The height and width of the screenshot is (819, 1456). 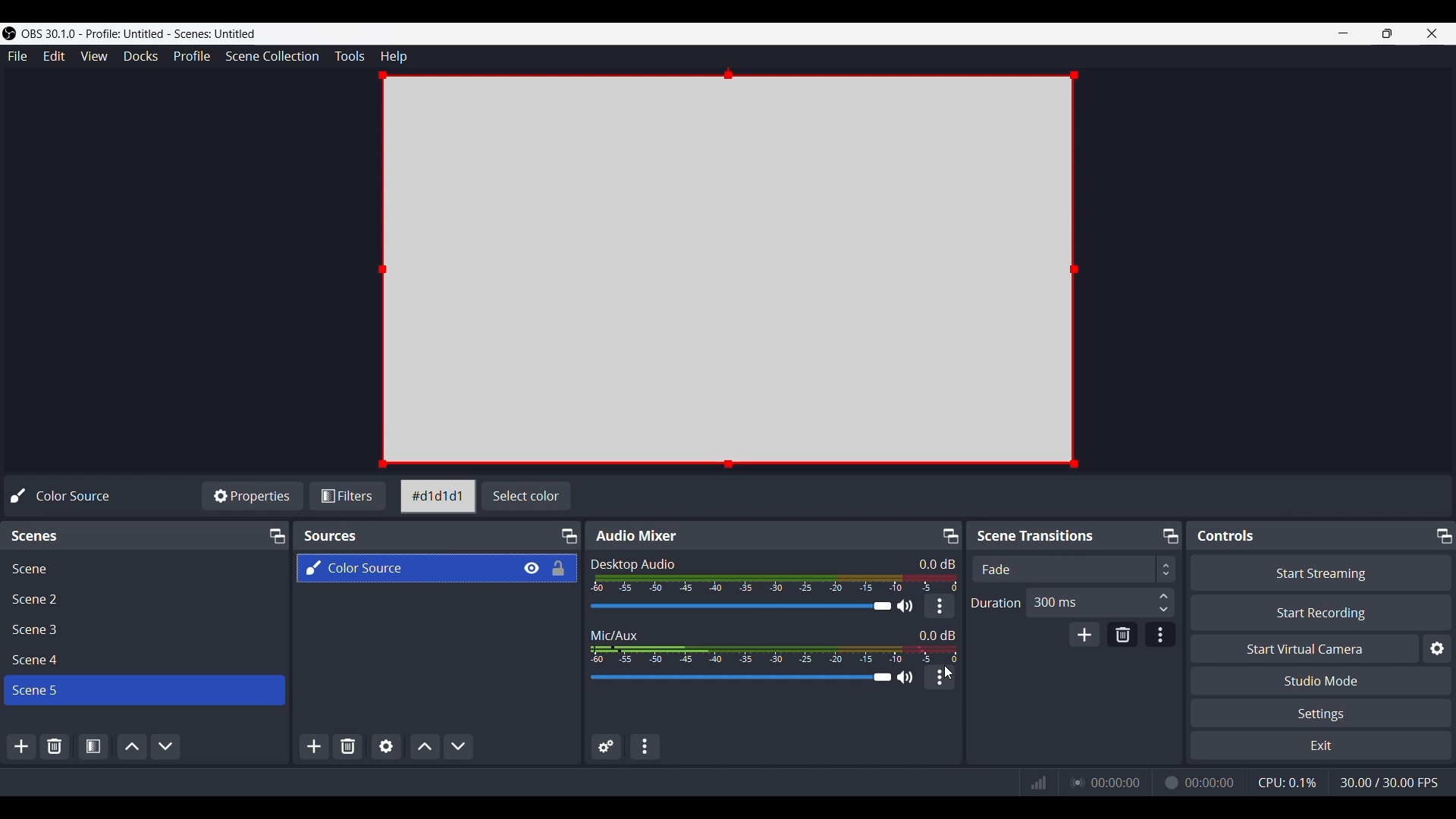 What do you see at coordinates (386, 745) in the screenshot?
I see `Open Sources Properties` at bounding box center [386, 745].